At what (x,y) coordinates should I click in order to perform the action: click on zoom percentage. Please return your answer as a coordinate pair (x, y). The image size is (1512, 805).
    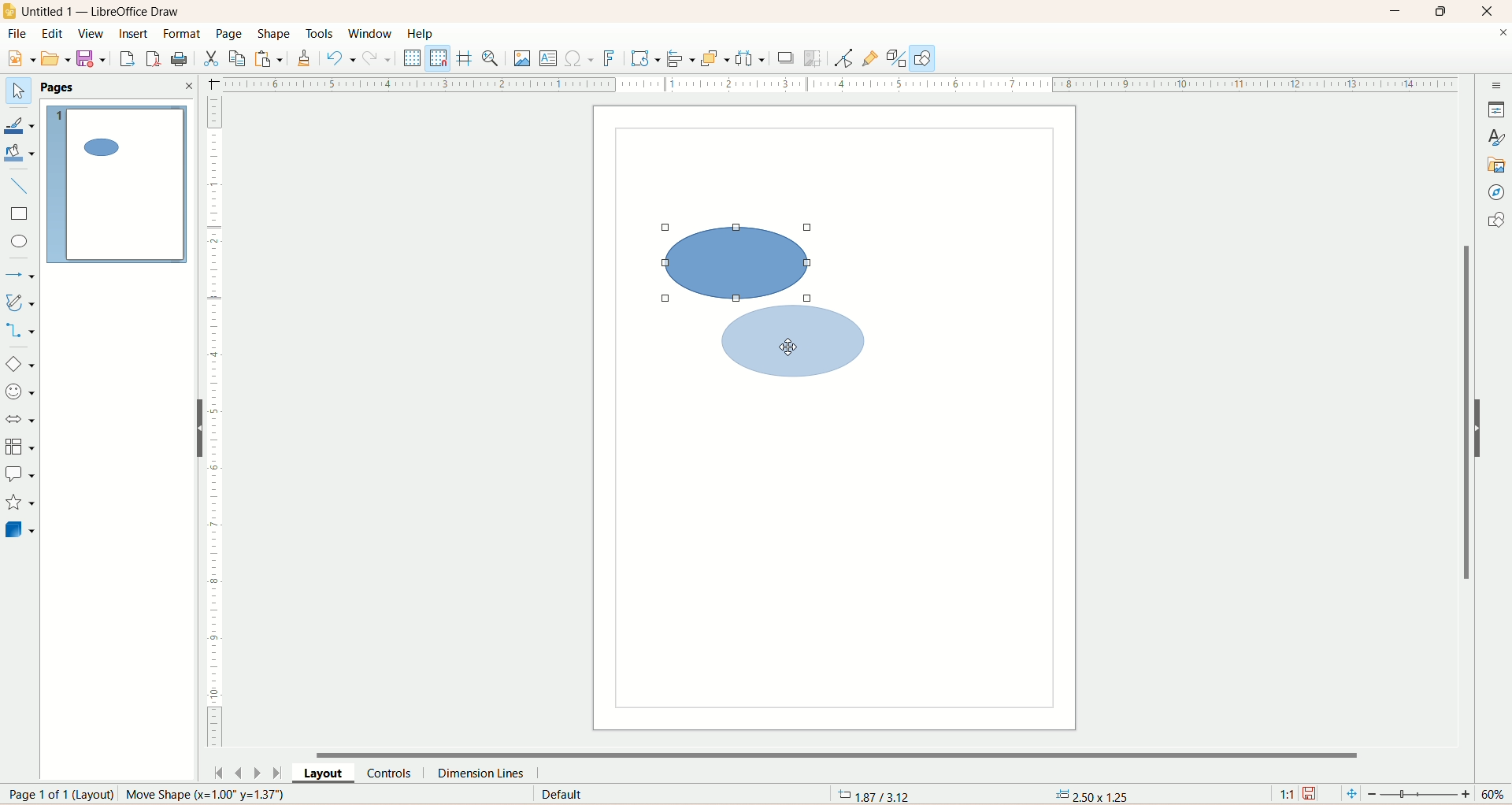
    Looking at the image, I should click on (1496, 795).